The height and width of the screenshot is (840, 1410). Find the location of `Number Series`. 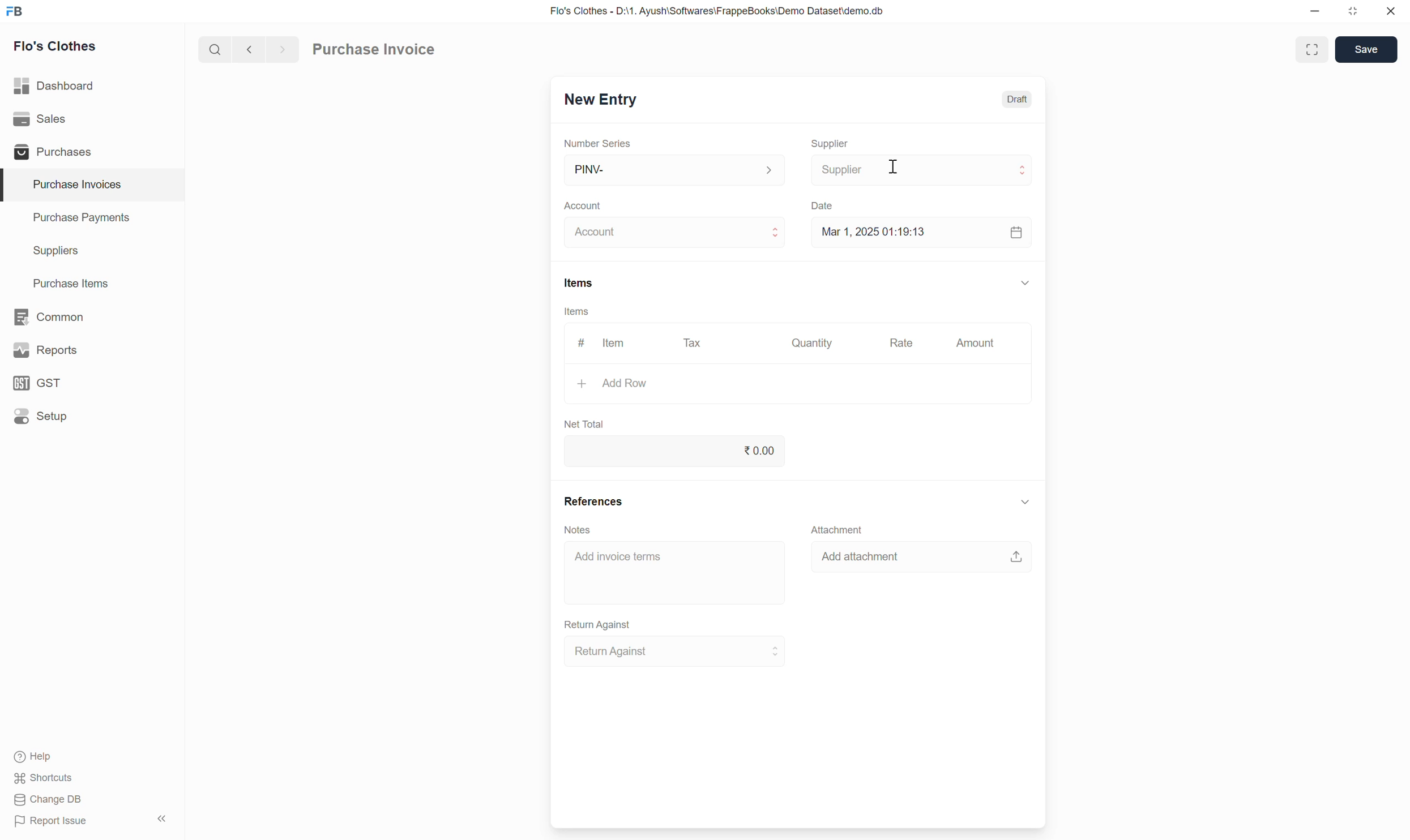

Number Series is located at coordinates (595, 141).